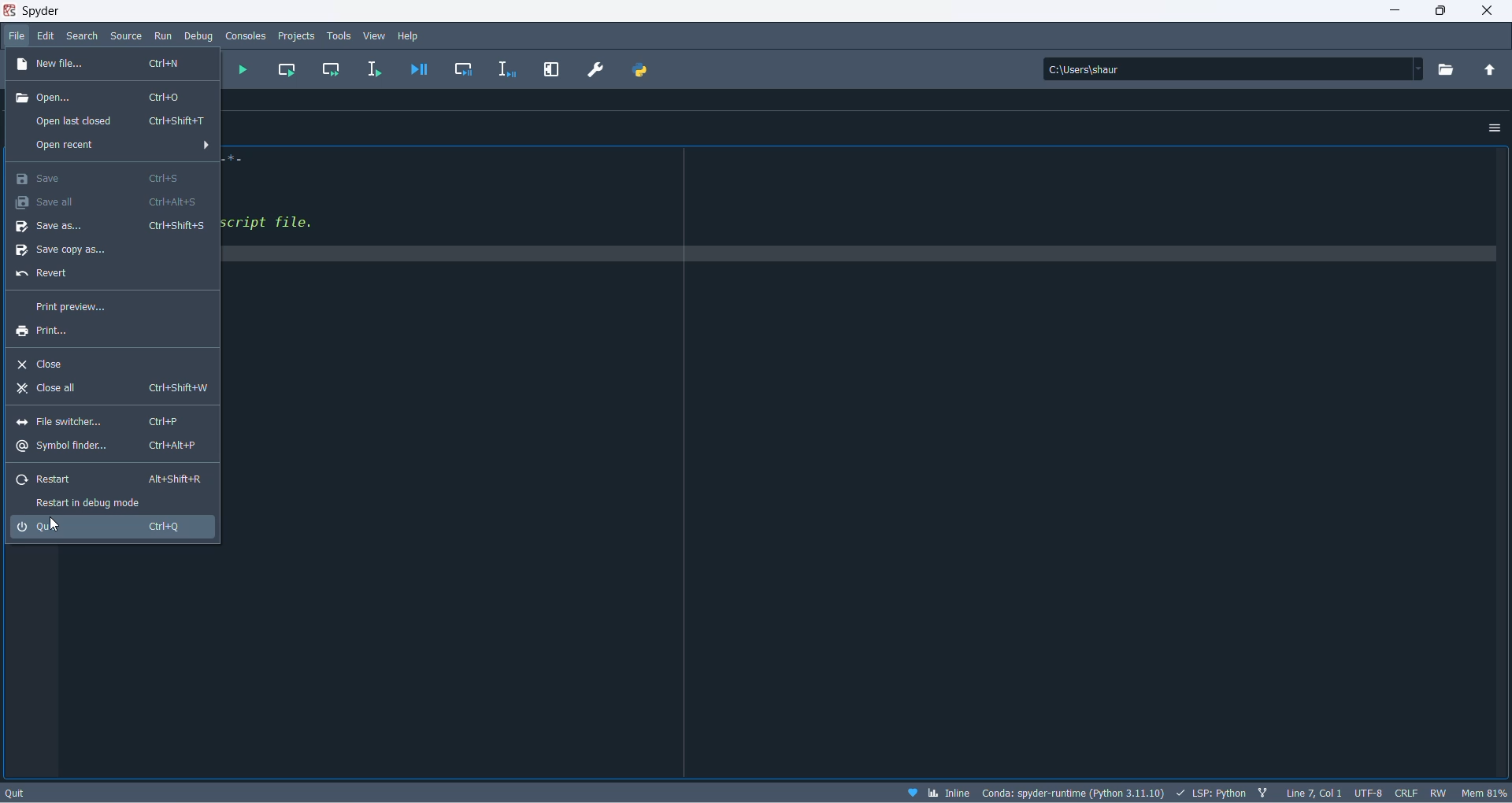  I want to click on debug file, so click(419, 73).